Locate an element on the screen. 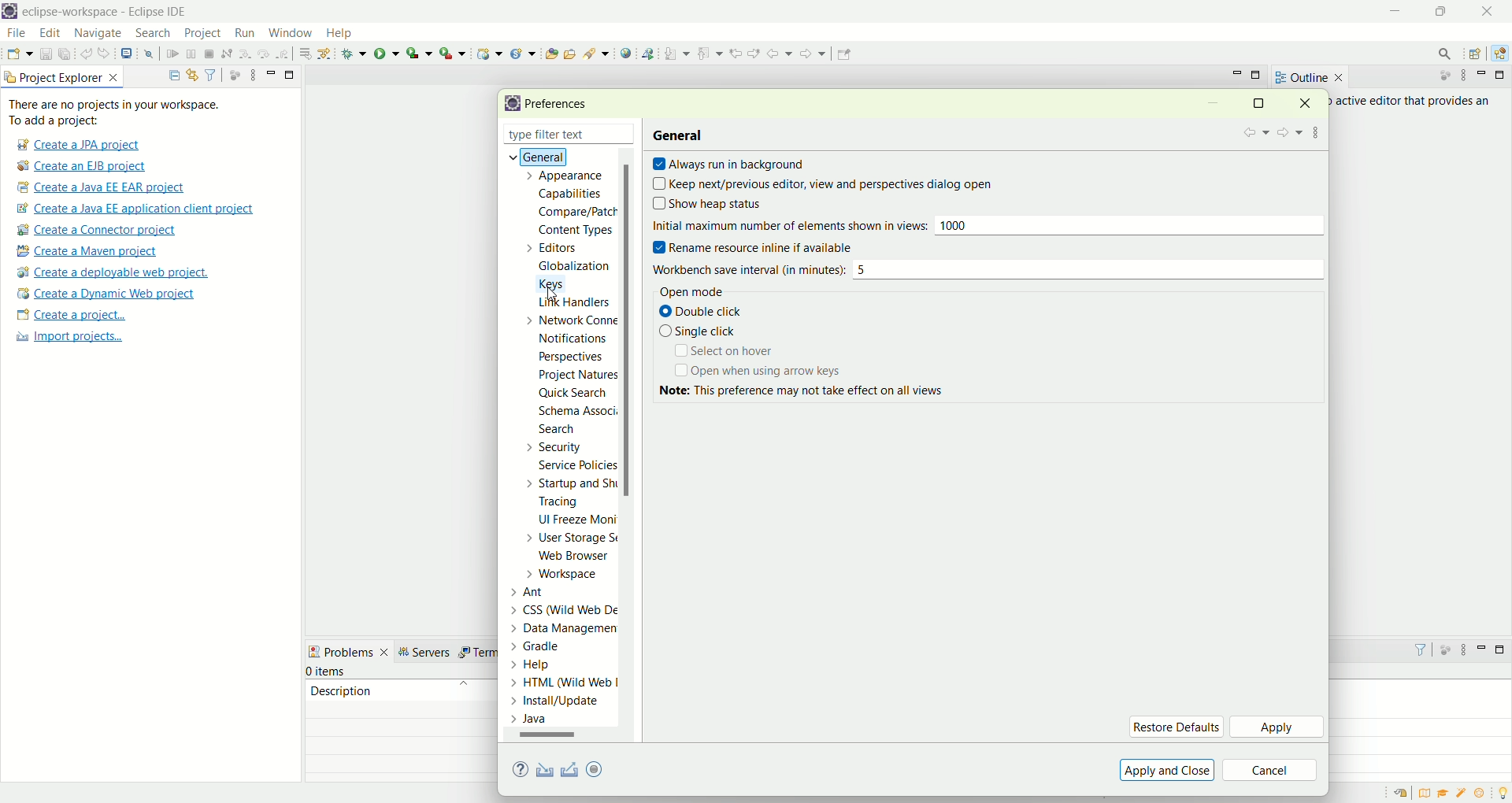 Image resolution: width=1512 pixels, height=803 pixels. notifications is located at coordinates (578, 338).